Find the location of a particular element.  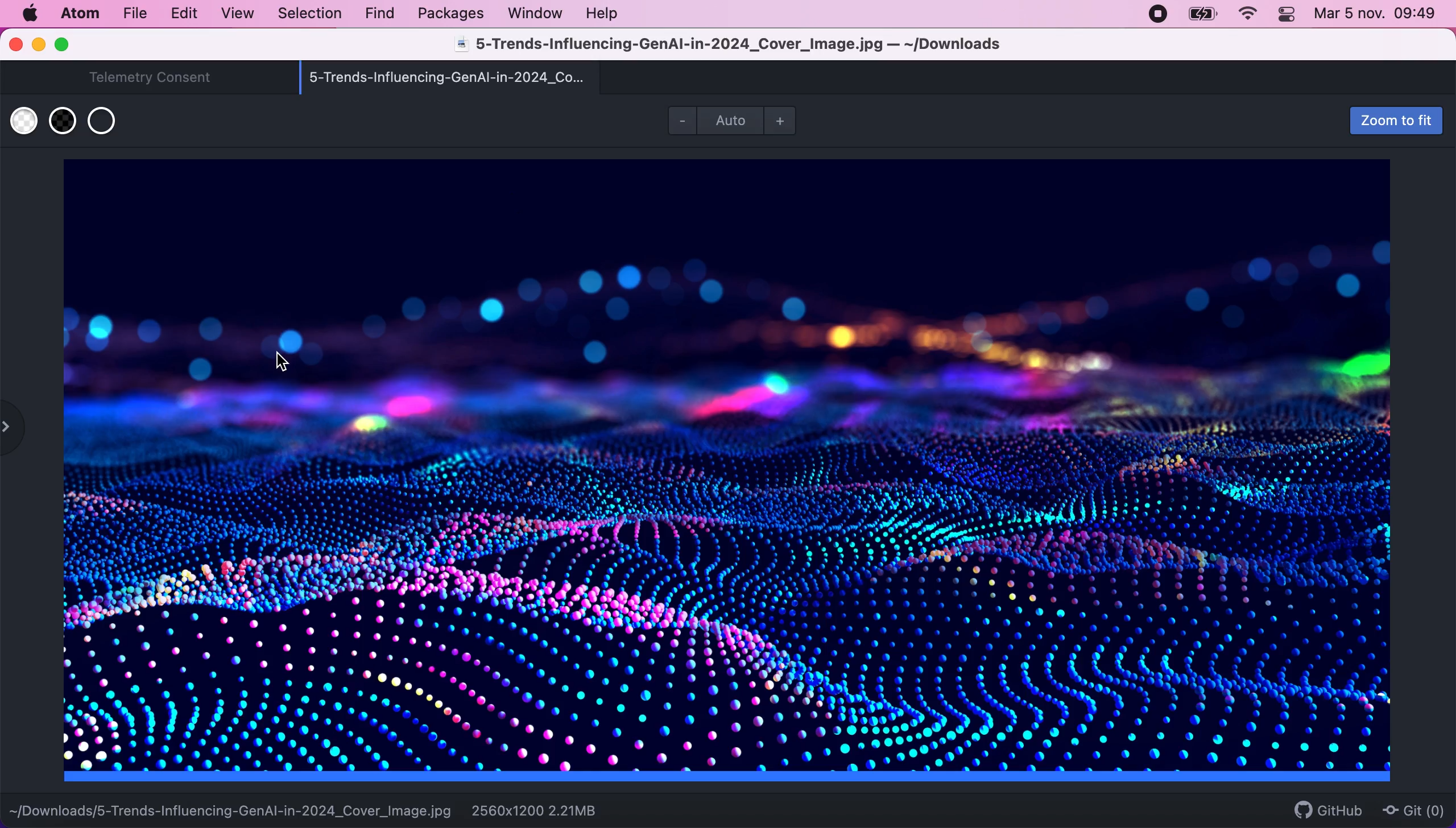

minimize is located at coordinates (39, 46).